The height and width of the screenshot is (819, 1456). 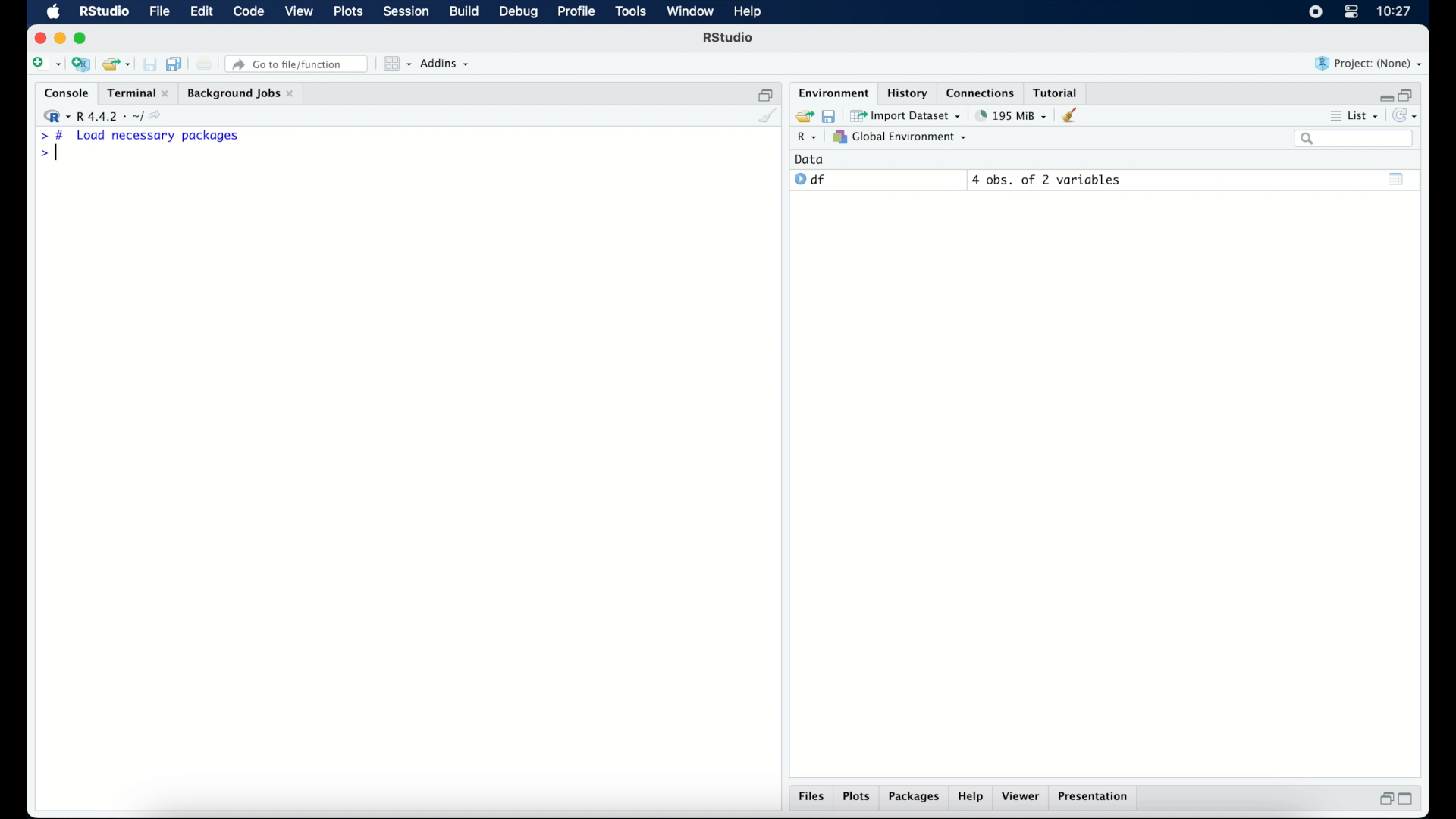 I want to click on tutorial, so click(x=1059, y=92).